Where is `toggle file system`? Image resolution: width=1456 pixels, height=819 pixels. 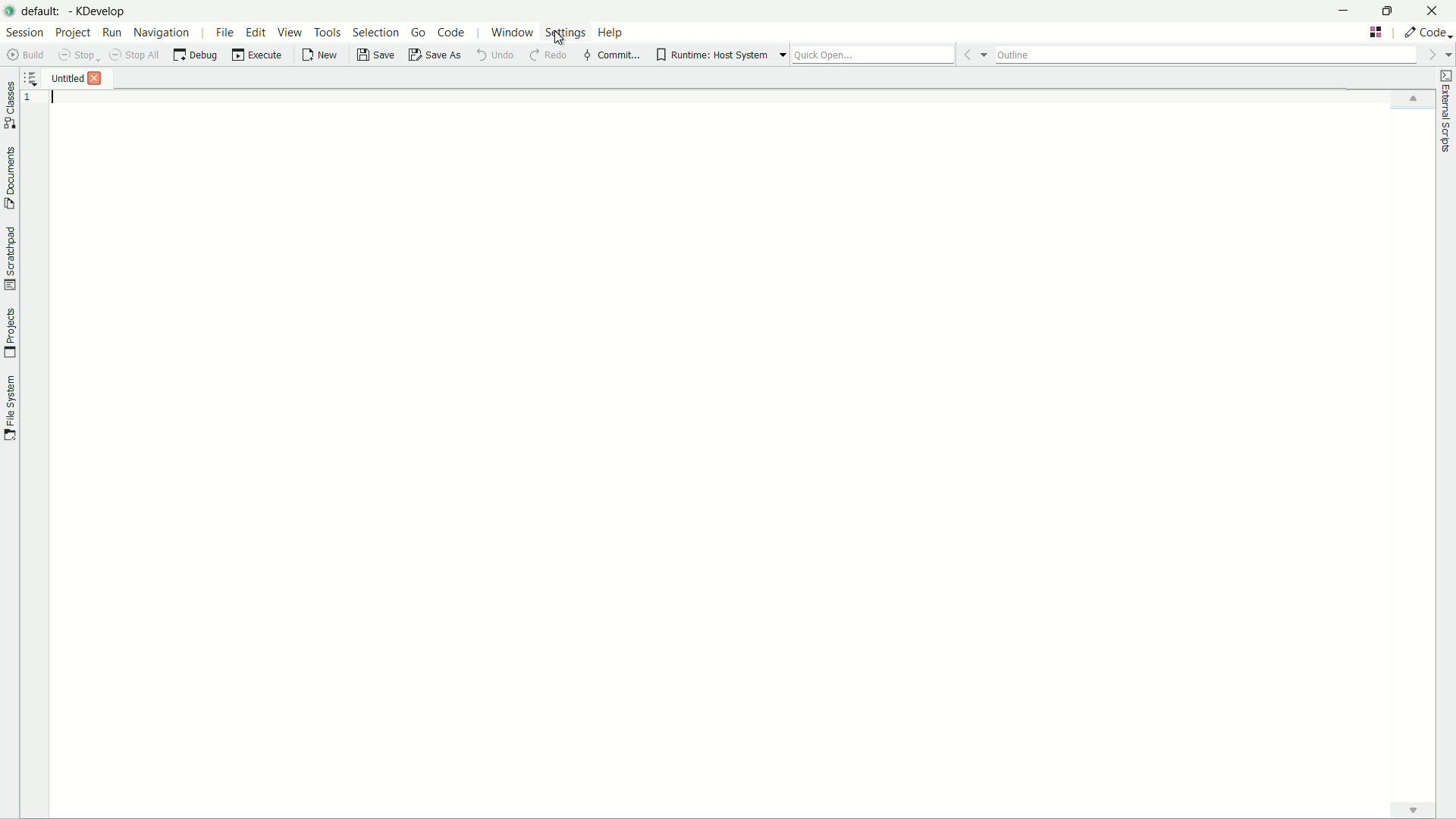
toggle file system is located at coordinates (9, 408).